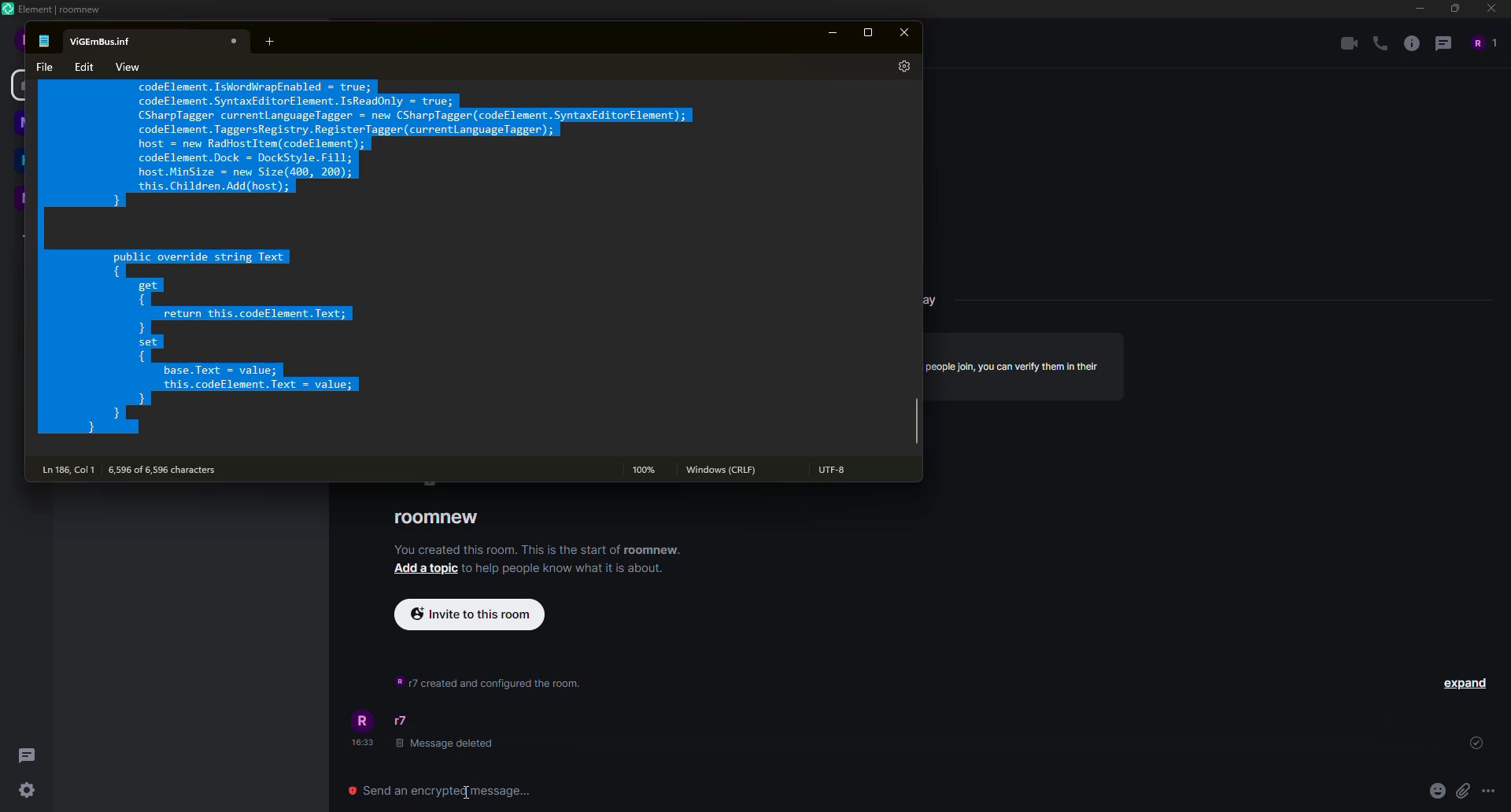  Describe the element at coordinates (724, 470) in the screenshot. I see `windows` at that location.